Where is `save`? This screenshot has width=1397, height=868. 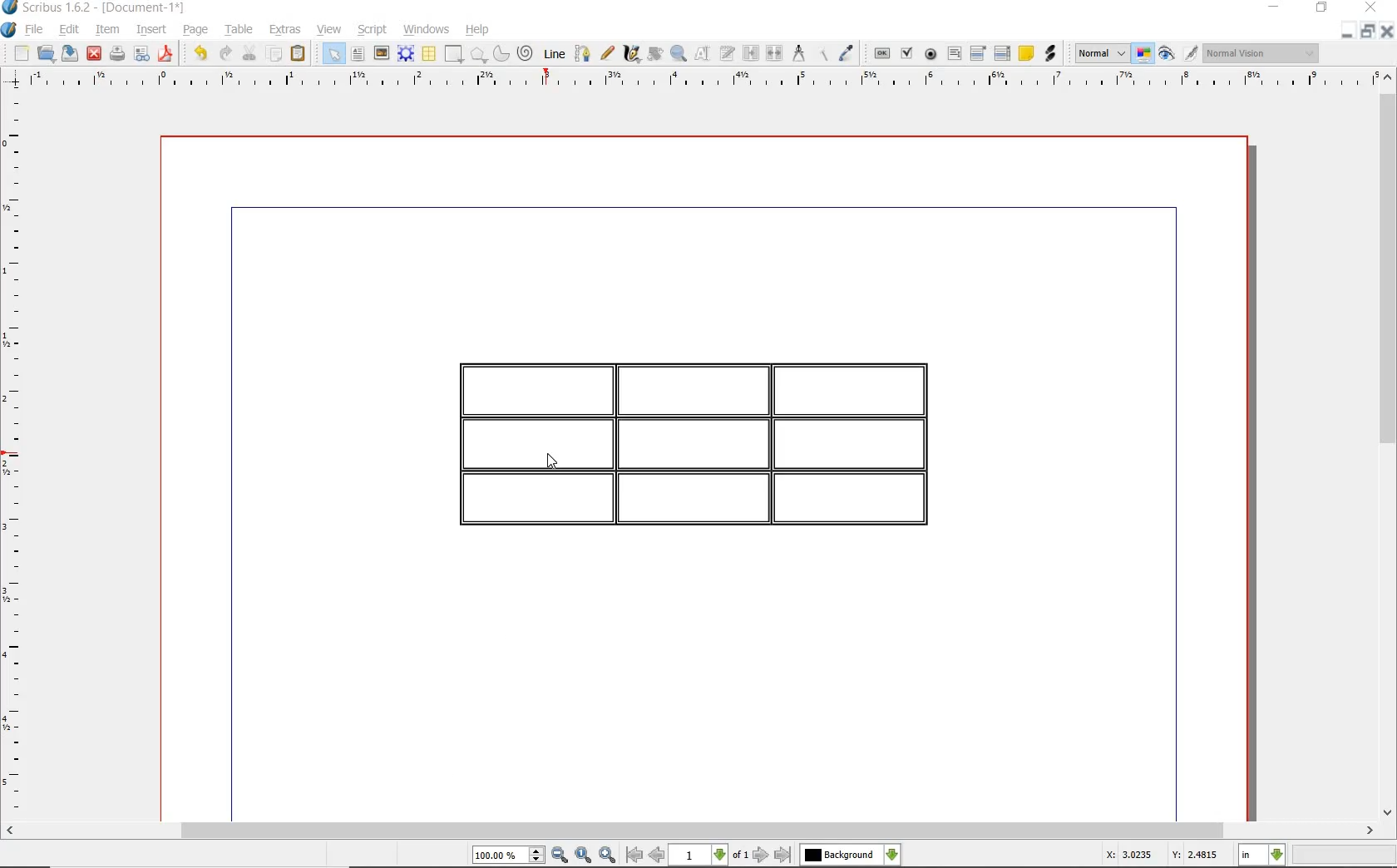
save is located at coordinates (69, 53).